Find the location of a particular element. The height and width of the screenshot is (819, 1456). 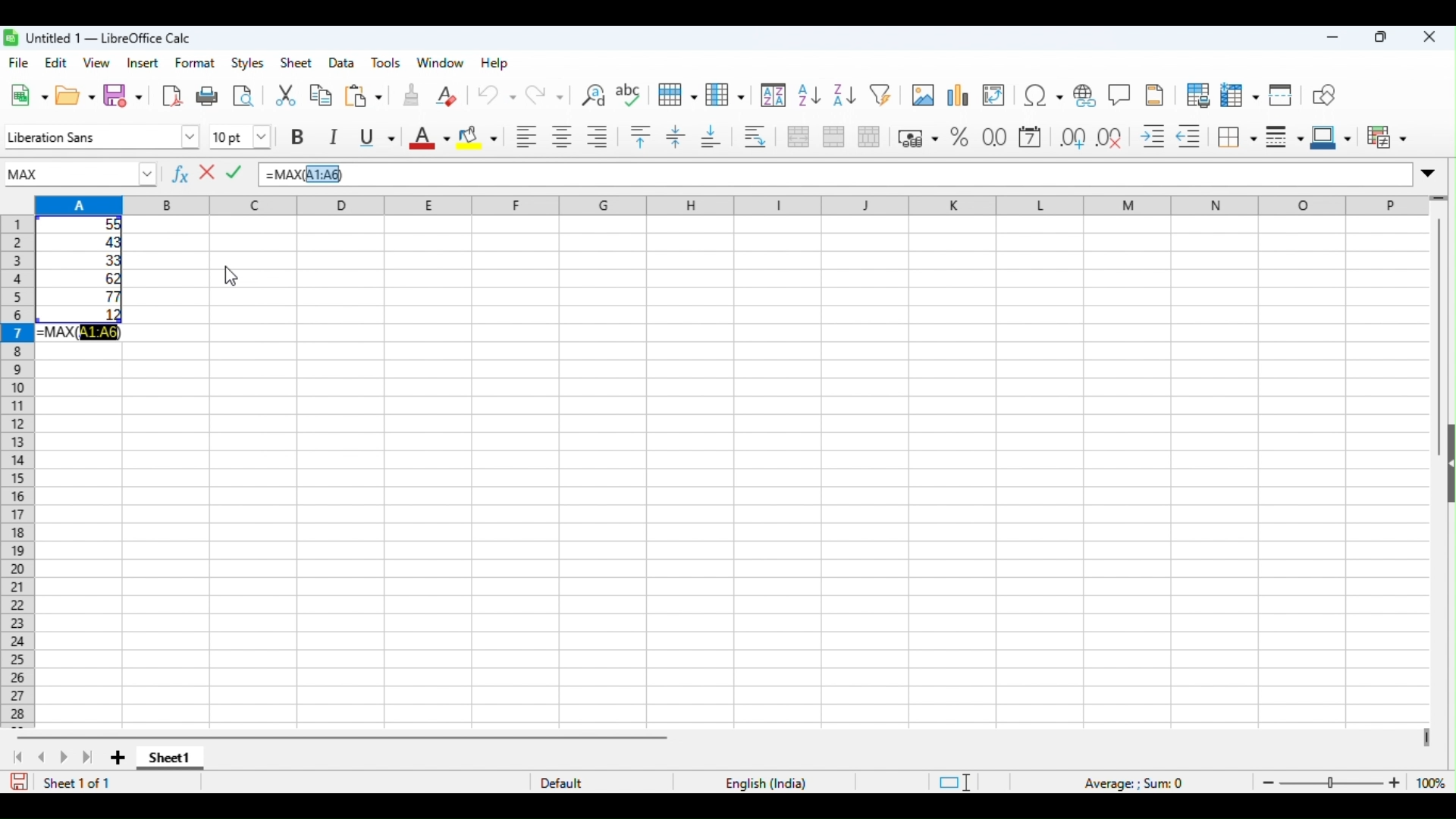

merge and center is located at coordinates (798, 136).